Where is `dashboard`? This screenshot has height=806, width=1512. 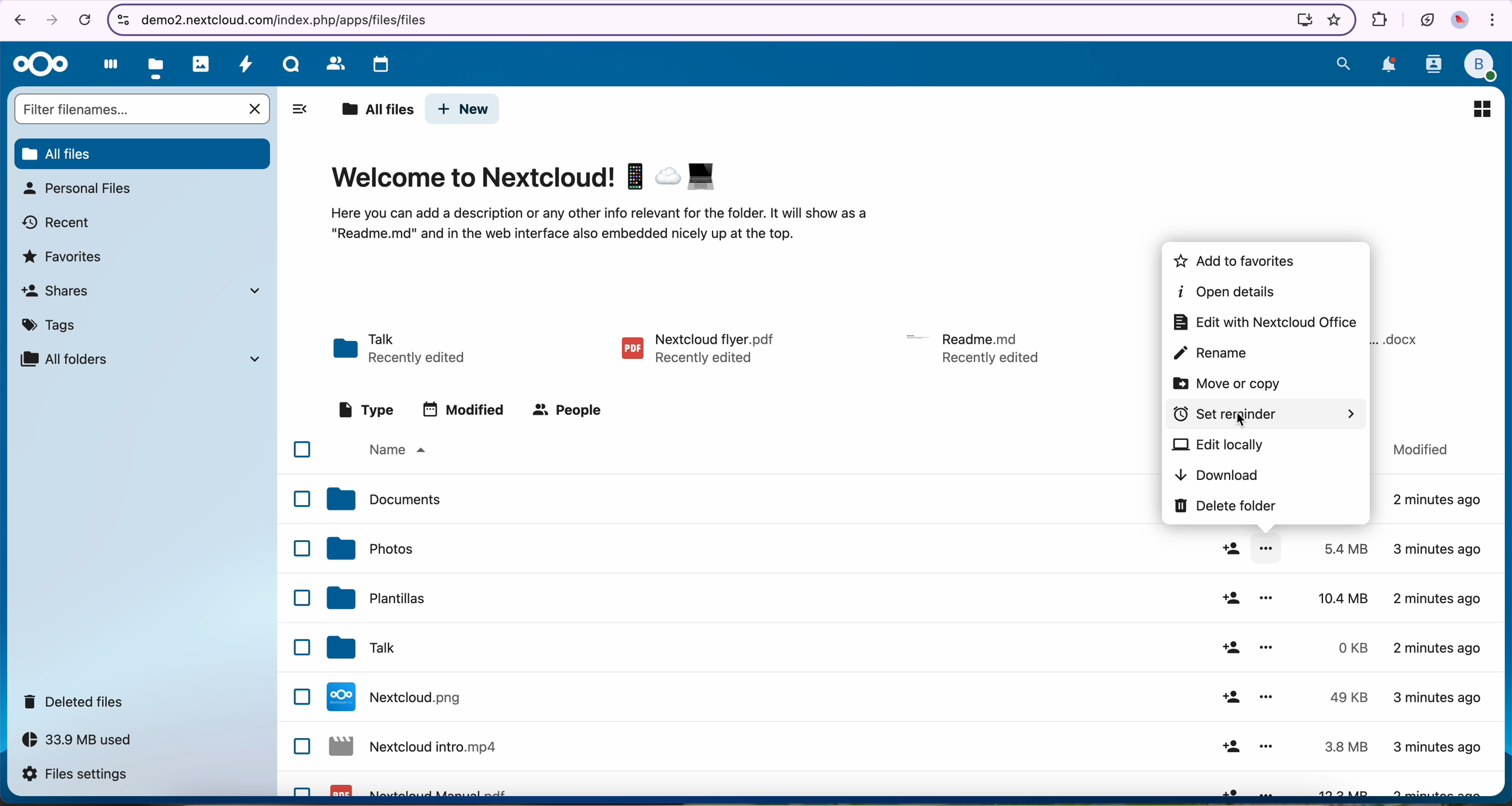
dashboard is located at coordinates (107, 63).